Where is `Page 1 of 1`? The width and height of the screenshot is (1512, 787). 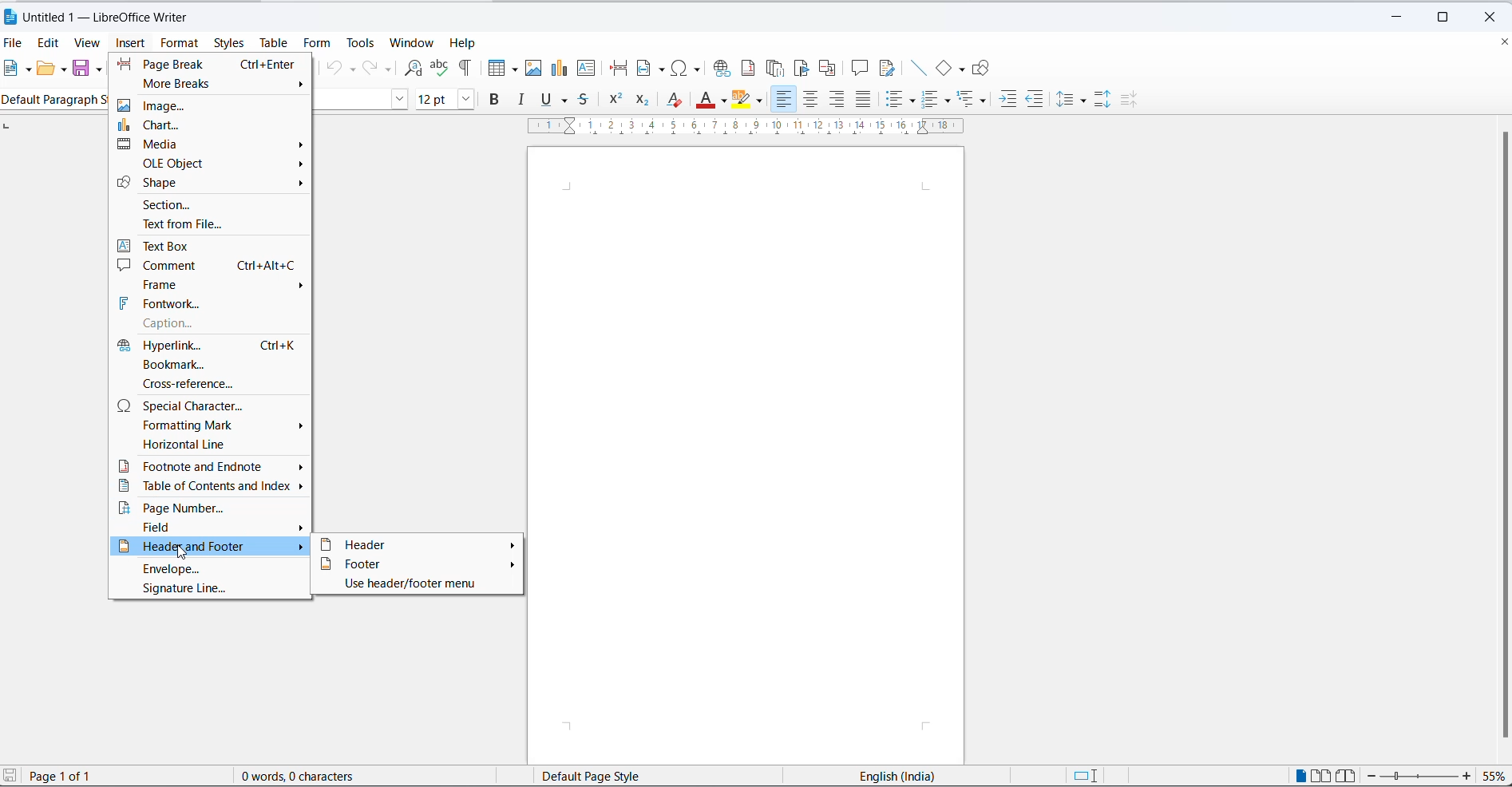
Page 1 of 1 is located at coordinates (86, 776).